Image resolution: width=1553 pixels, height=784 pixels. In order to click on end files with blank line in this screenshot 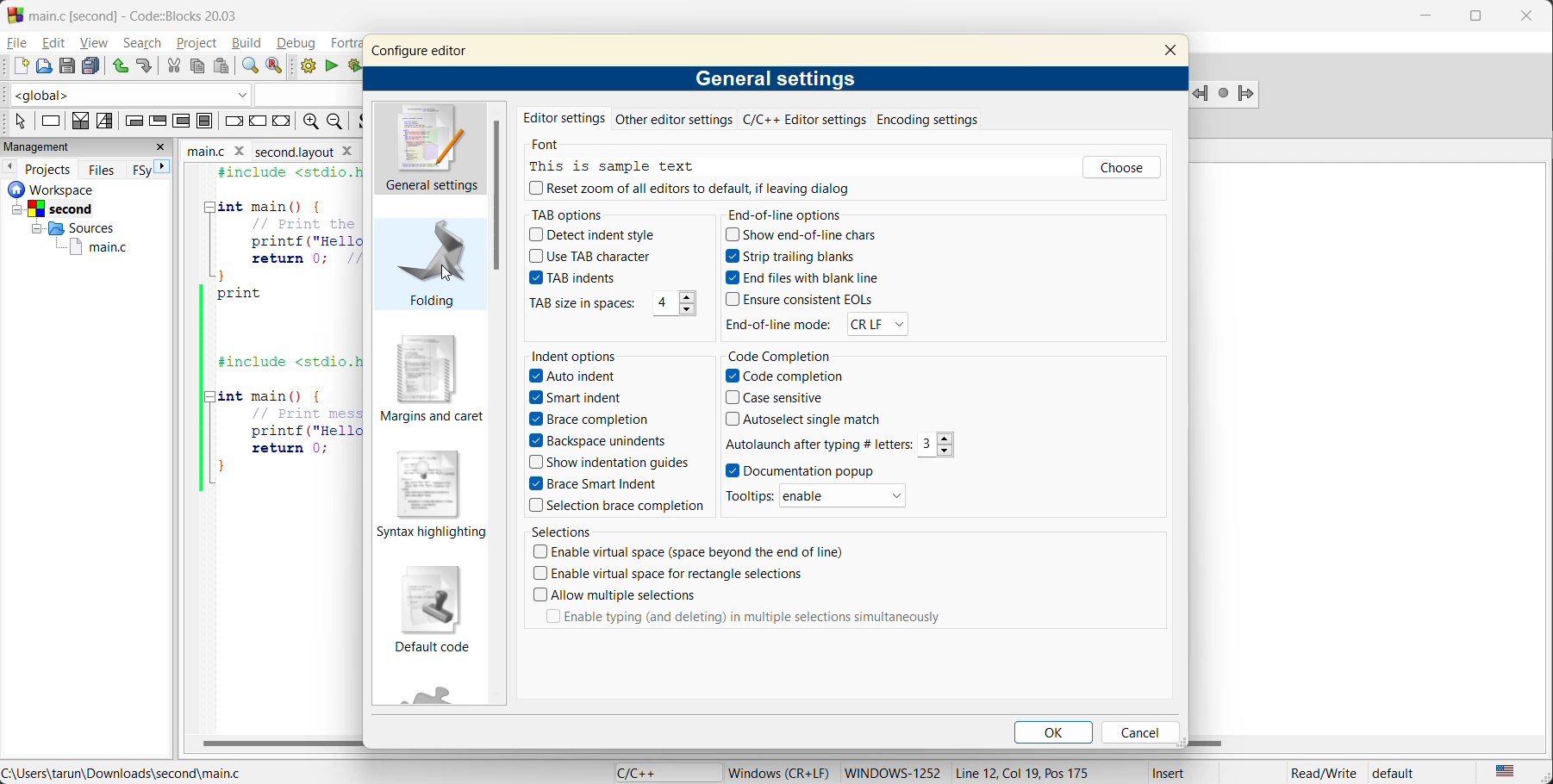, I will do `click(809, 277)`.